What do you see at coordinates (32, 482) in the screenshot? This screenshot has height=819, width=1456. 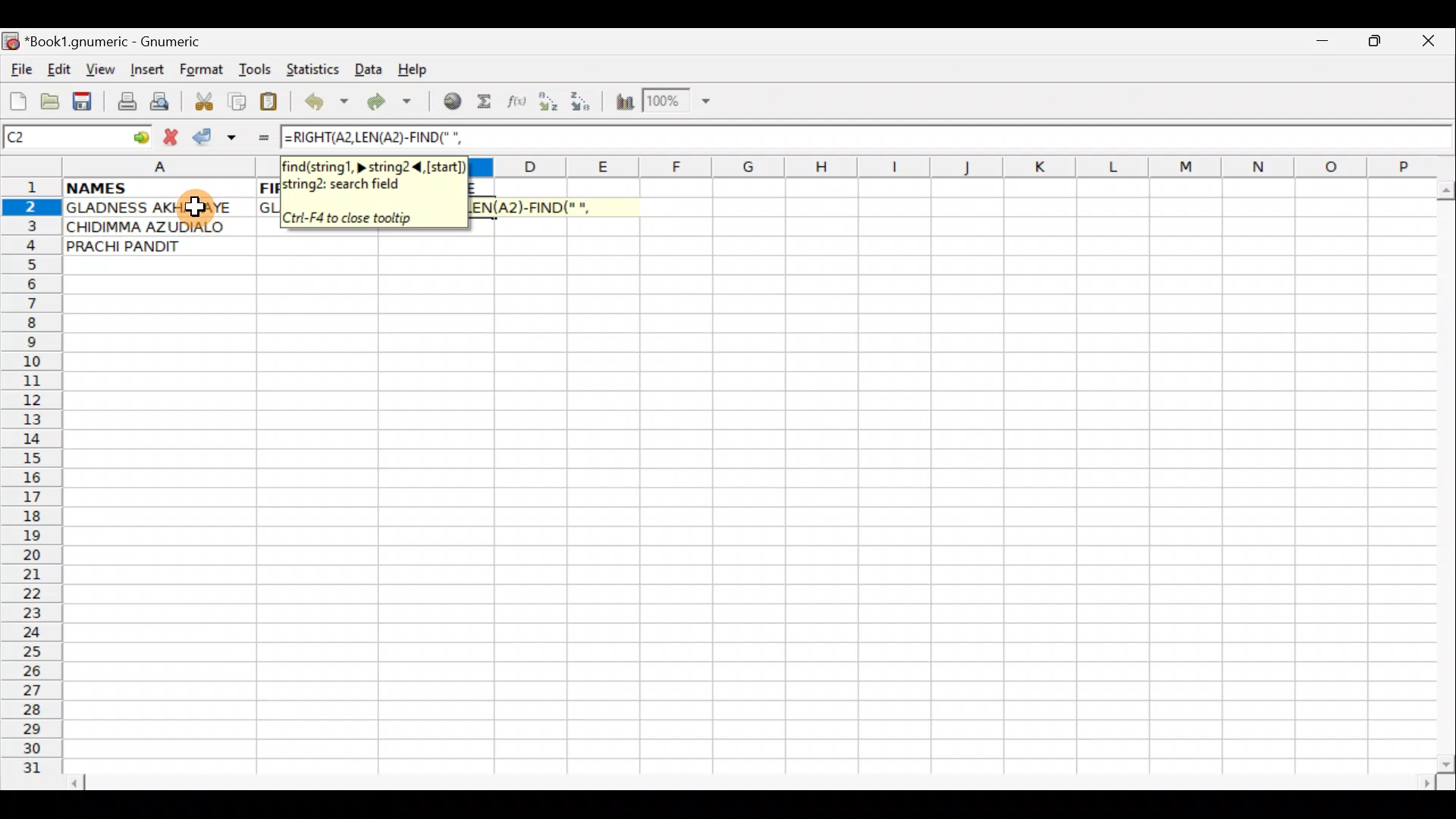 I see `Rows` at bounding box center [32, 482].